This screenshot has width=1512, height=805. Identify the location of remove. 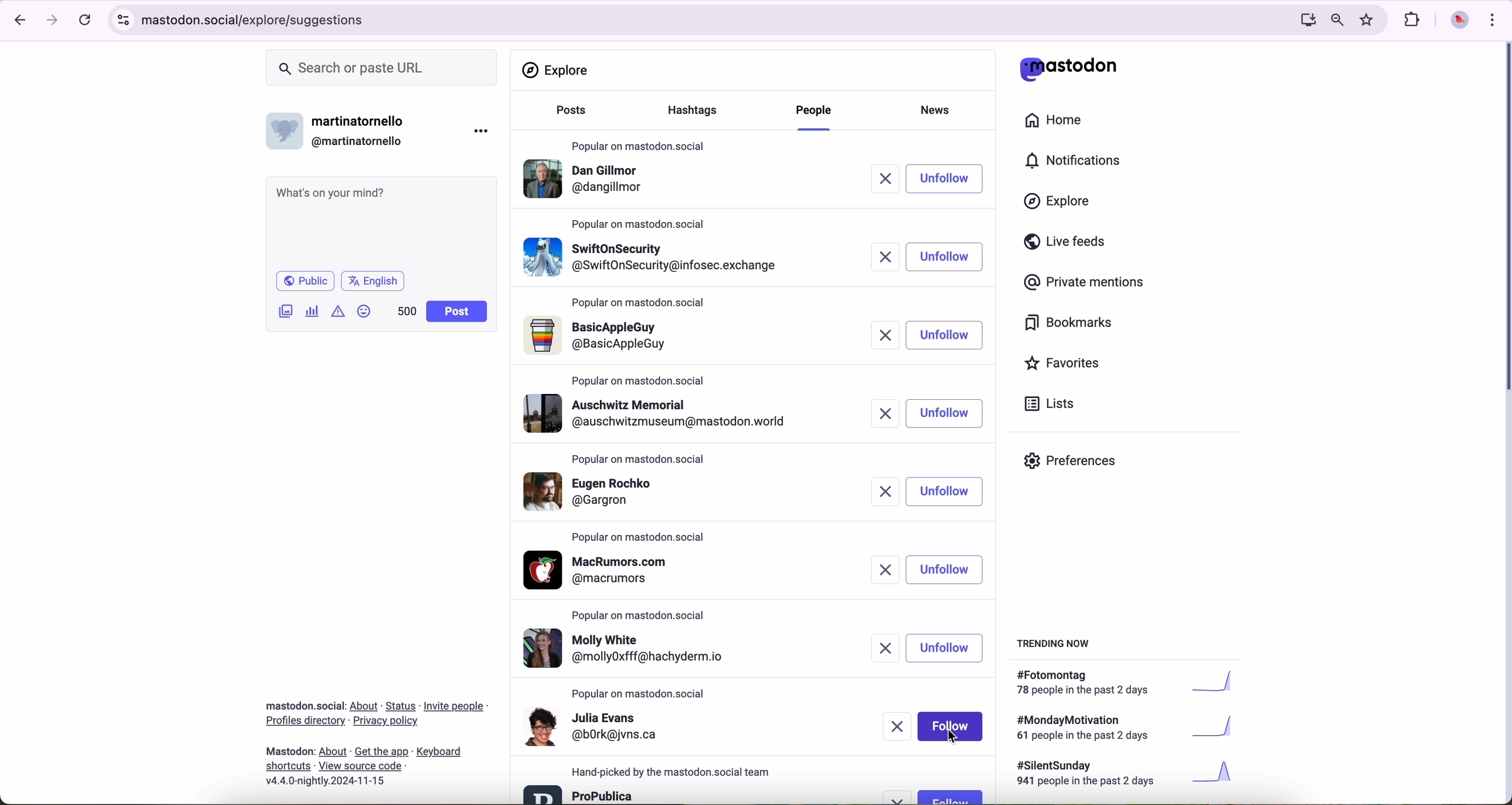
(893, 179).